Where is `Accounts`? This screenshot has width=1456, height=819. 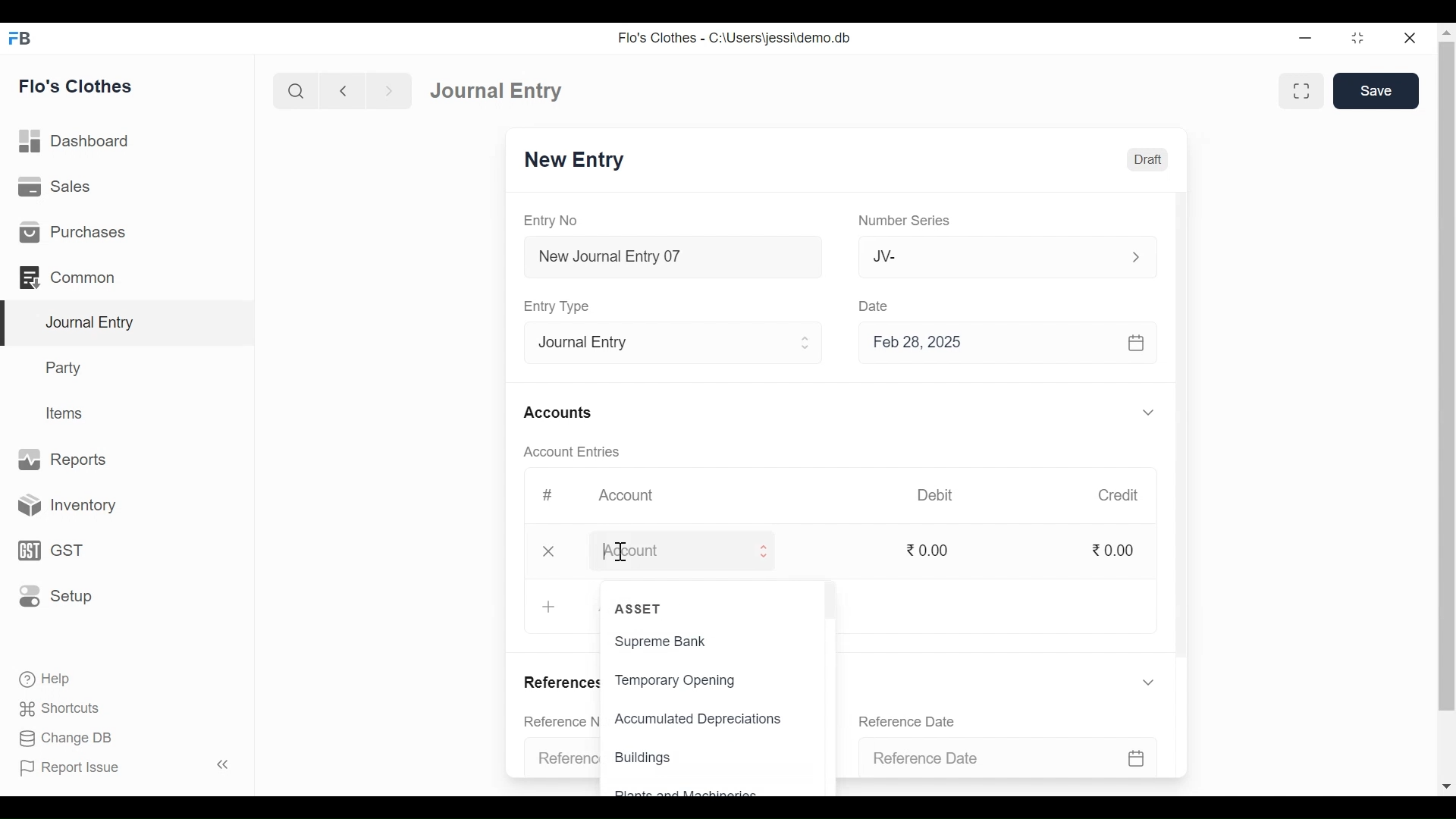 Accounts is located at coordinates (558, 414).